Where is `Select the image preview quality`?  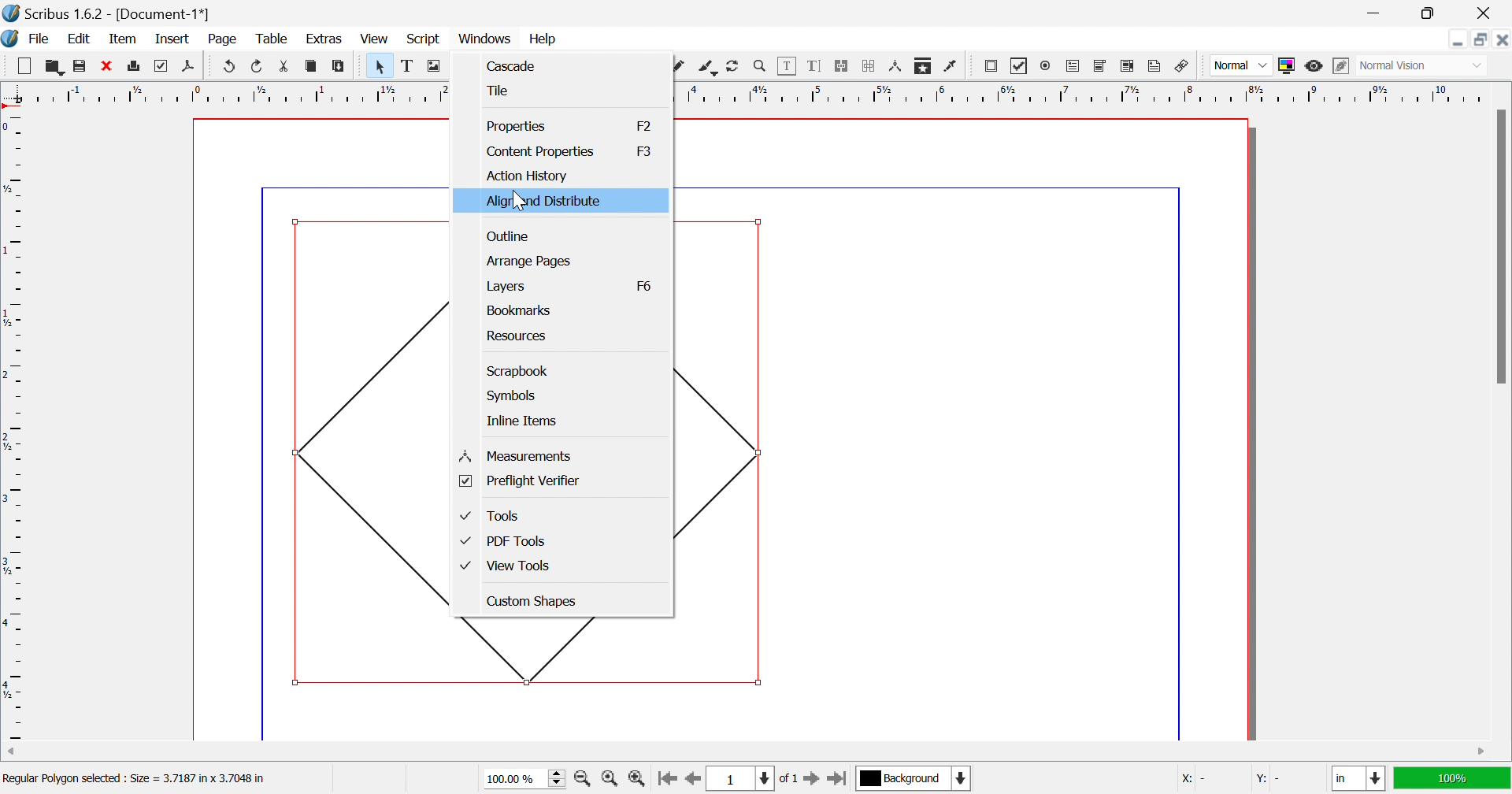 Select the image preview quality is located at coordinates (1240, 65).